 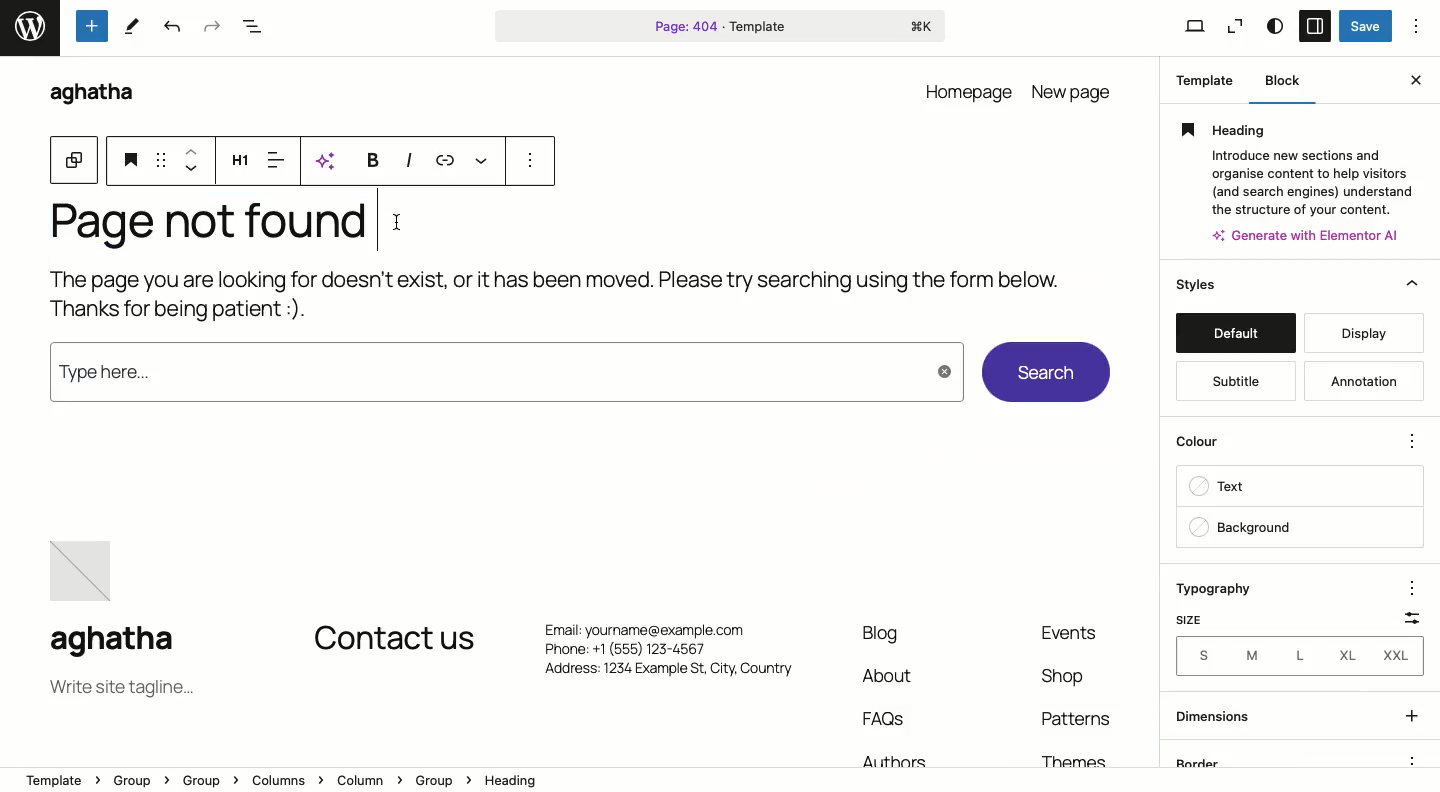 I want to click on options, so click(x=1412, y=438).